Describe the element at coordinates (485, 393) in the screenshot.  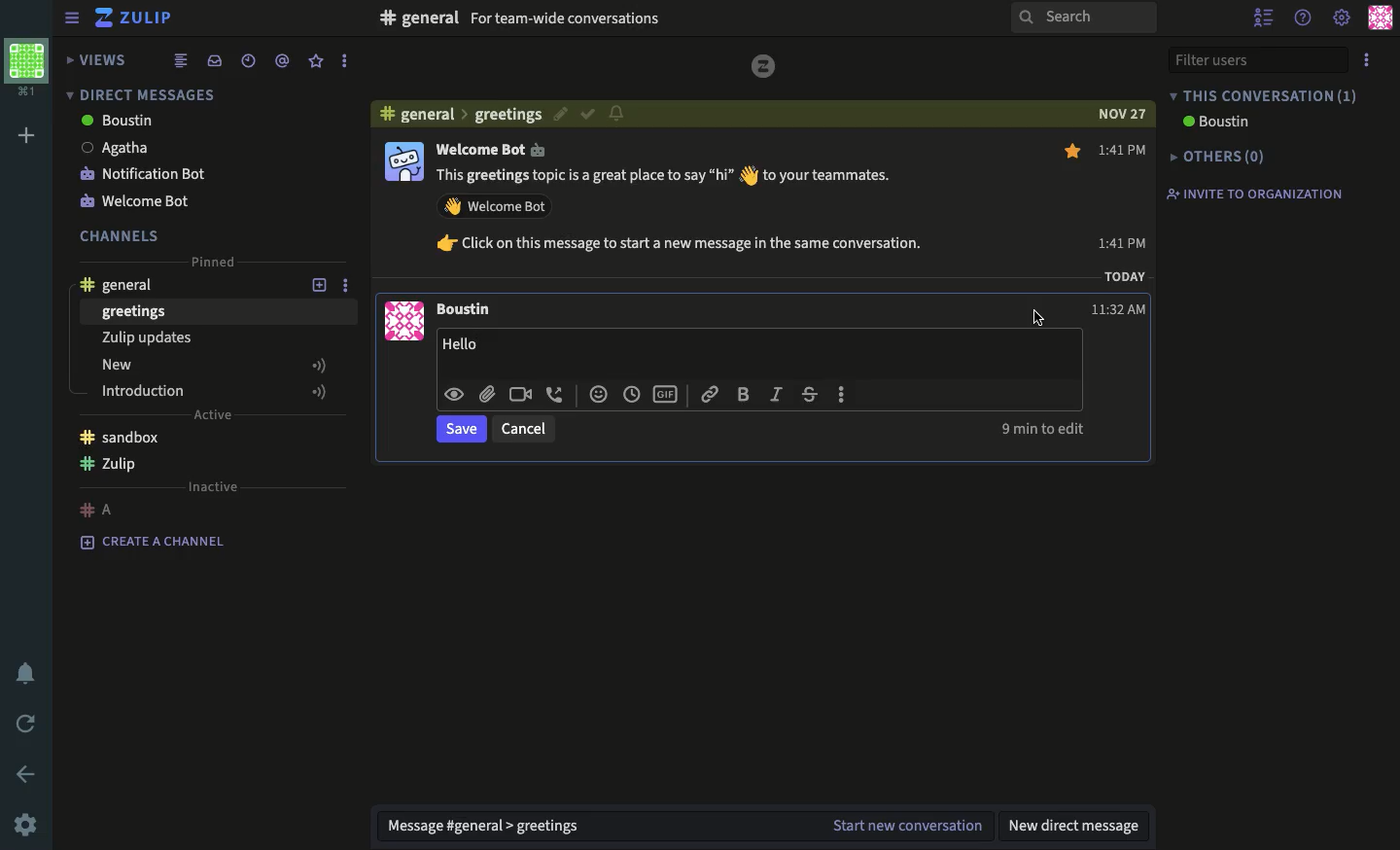
I see `attachment` at that location.